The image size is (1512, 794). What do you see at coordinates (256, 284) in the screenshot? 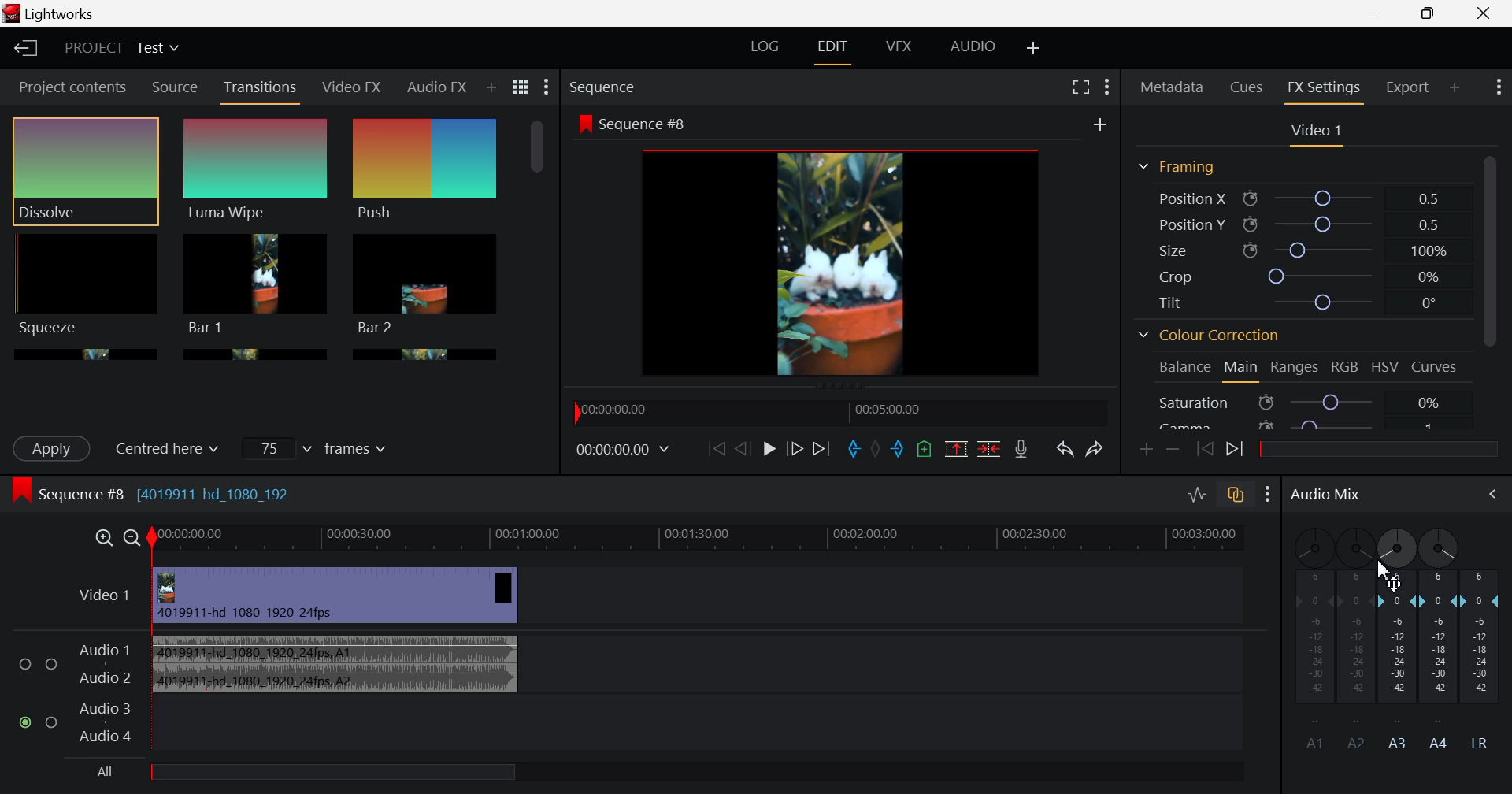
I see `Bar 1` at bounding box center [256, 284].